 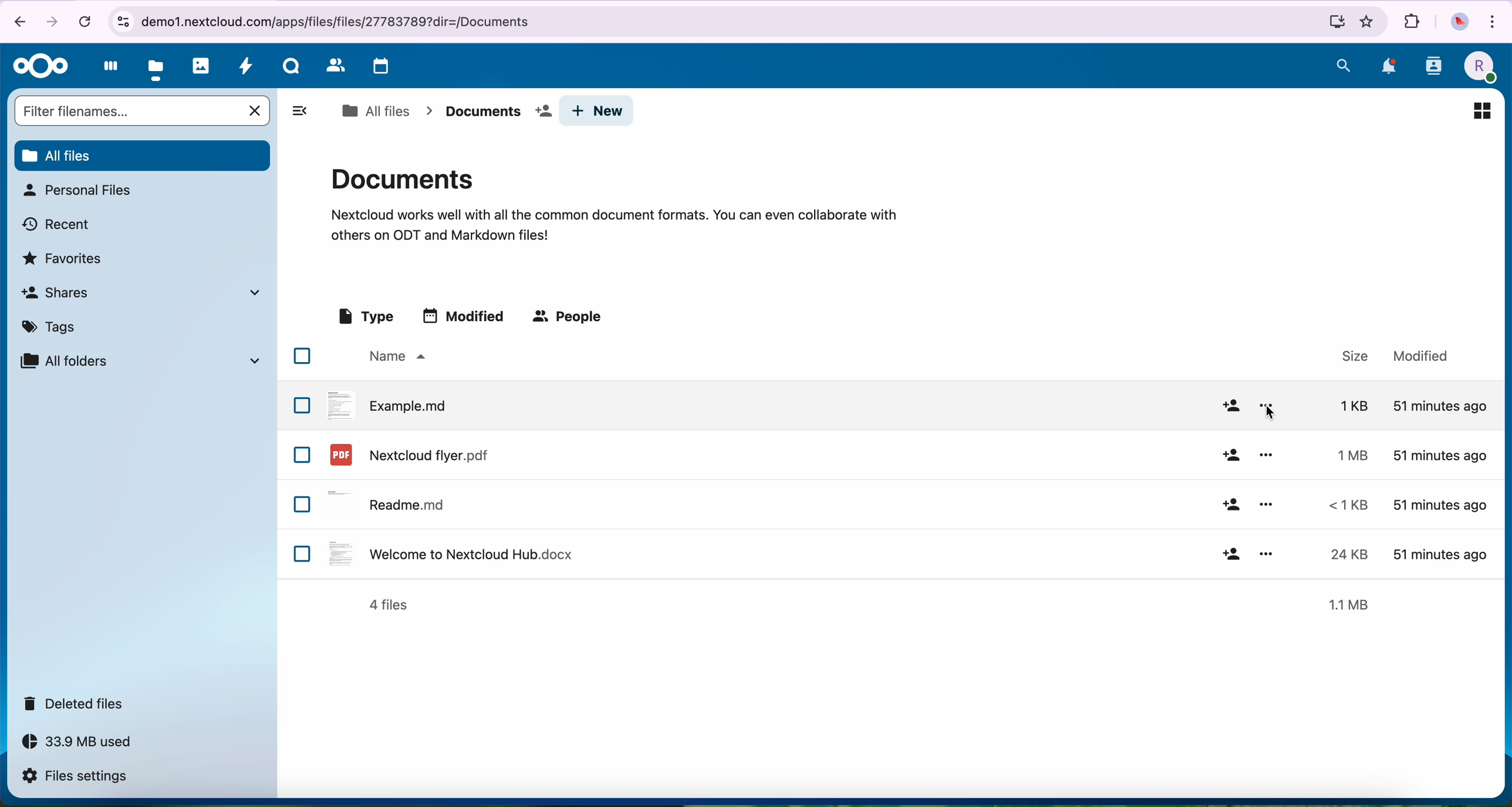 What do you see at coordinates (1350, 604) in the screenshot?
I see `size` at bounding box center [1350, 604].